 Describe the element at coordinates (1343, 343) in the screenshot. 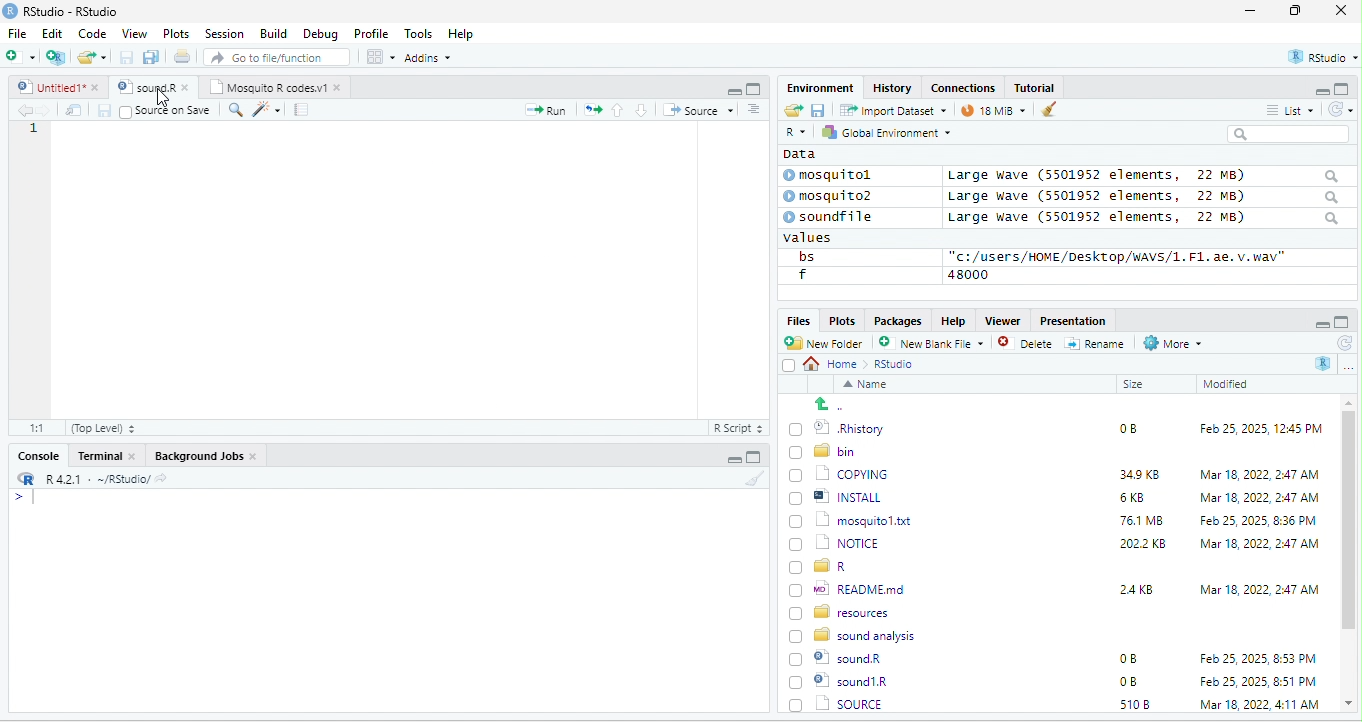

I see `refresh` at that location.